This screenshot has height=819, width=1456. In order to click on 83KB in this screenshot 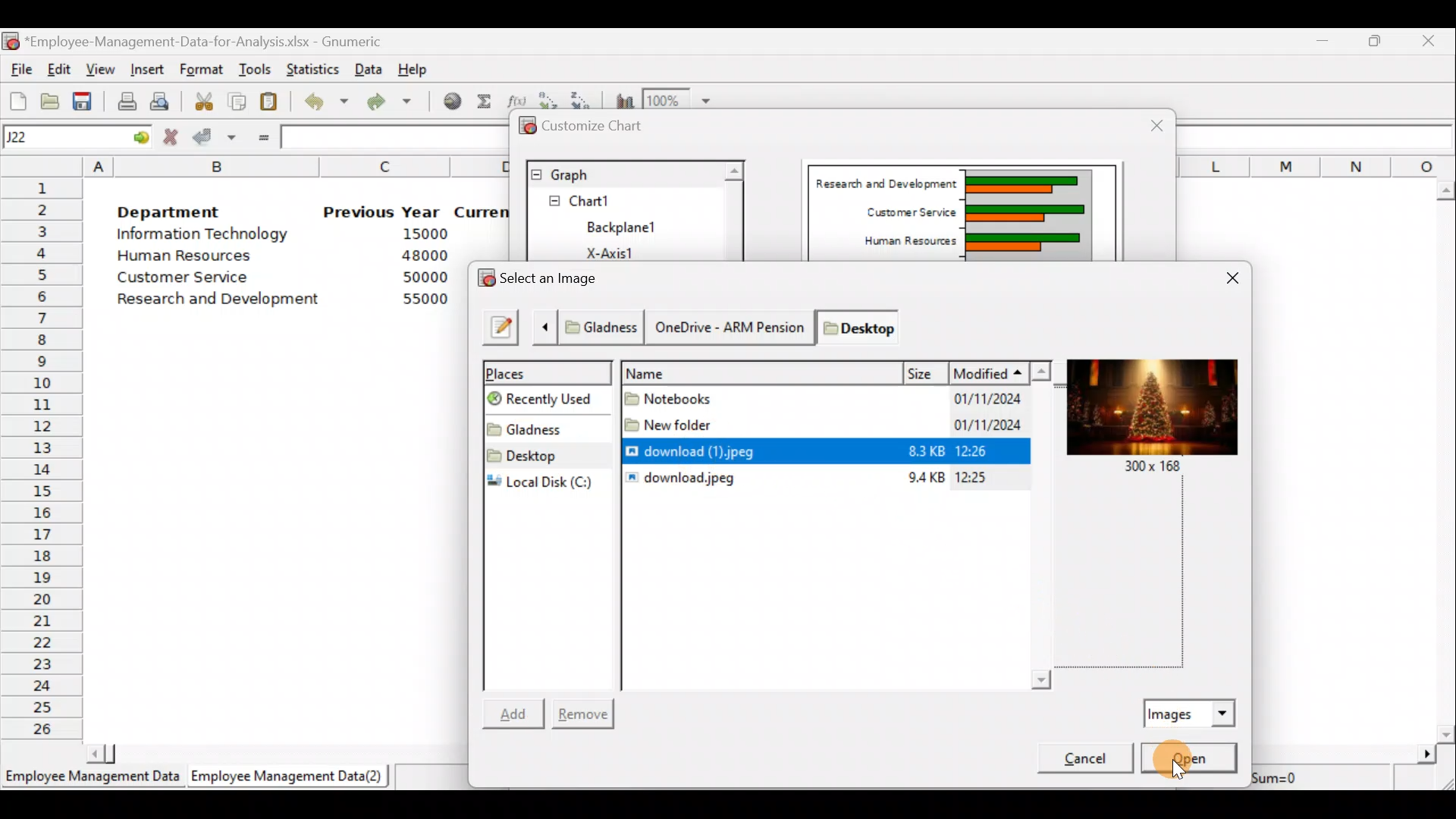, I will do `click(918, 452)`.